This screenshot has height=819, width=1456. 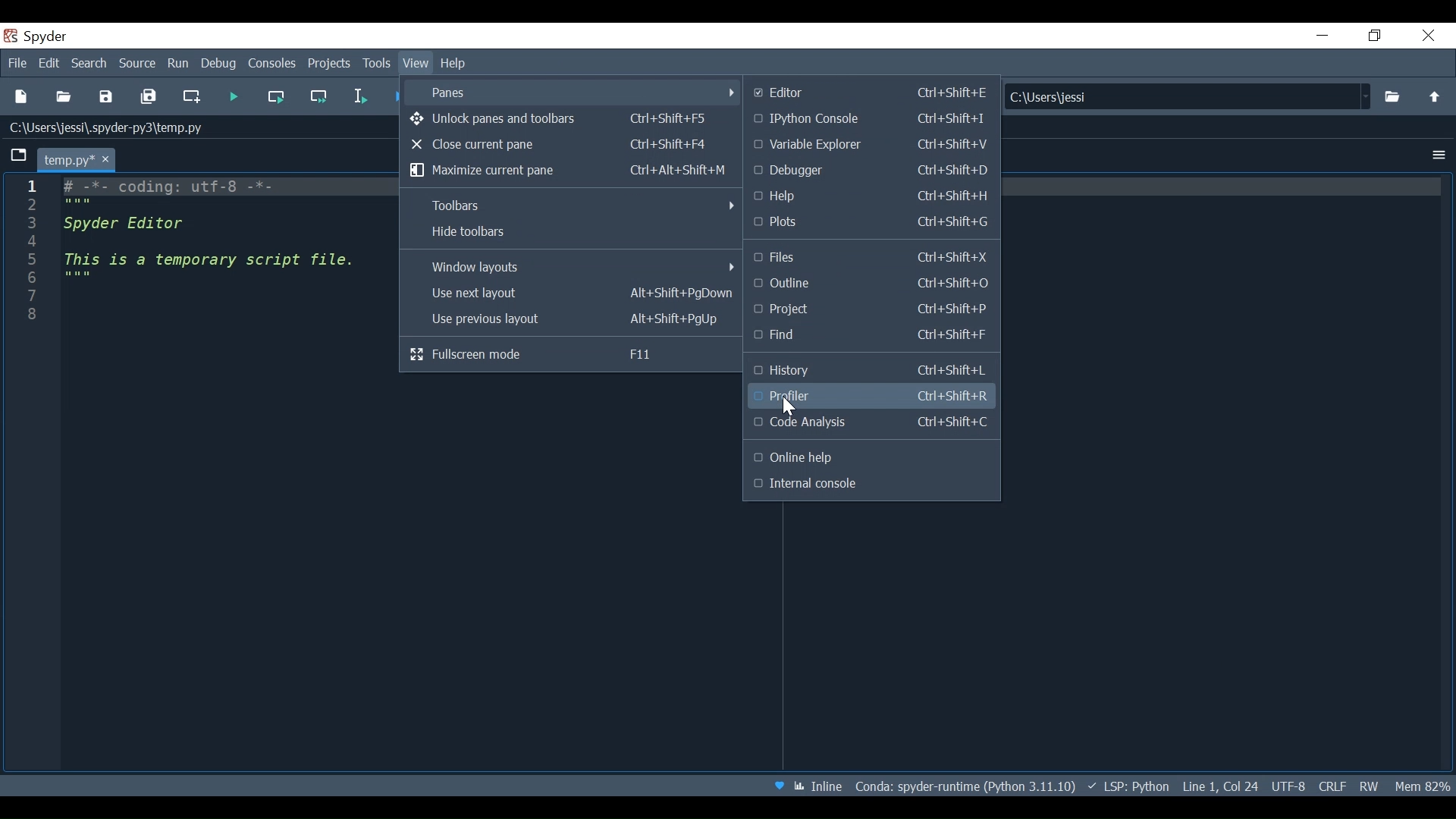 I want to click on Restore, so click(x=1373, y=36).